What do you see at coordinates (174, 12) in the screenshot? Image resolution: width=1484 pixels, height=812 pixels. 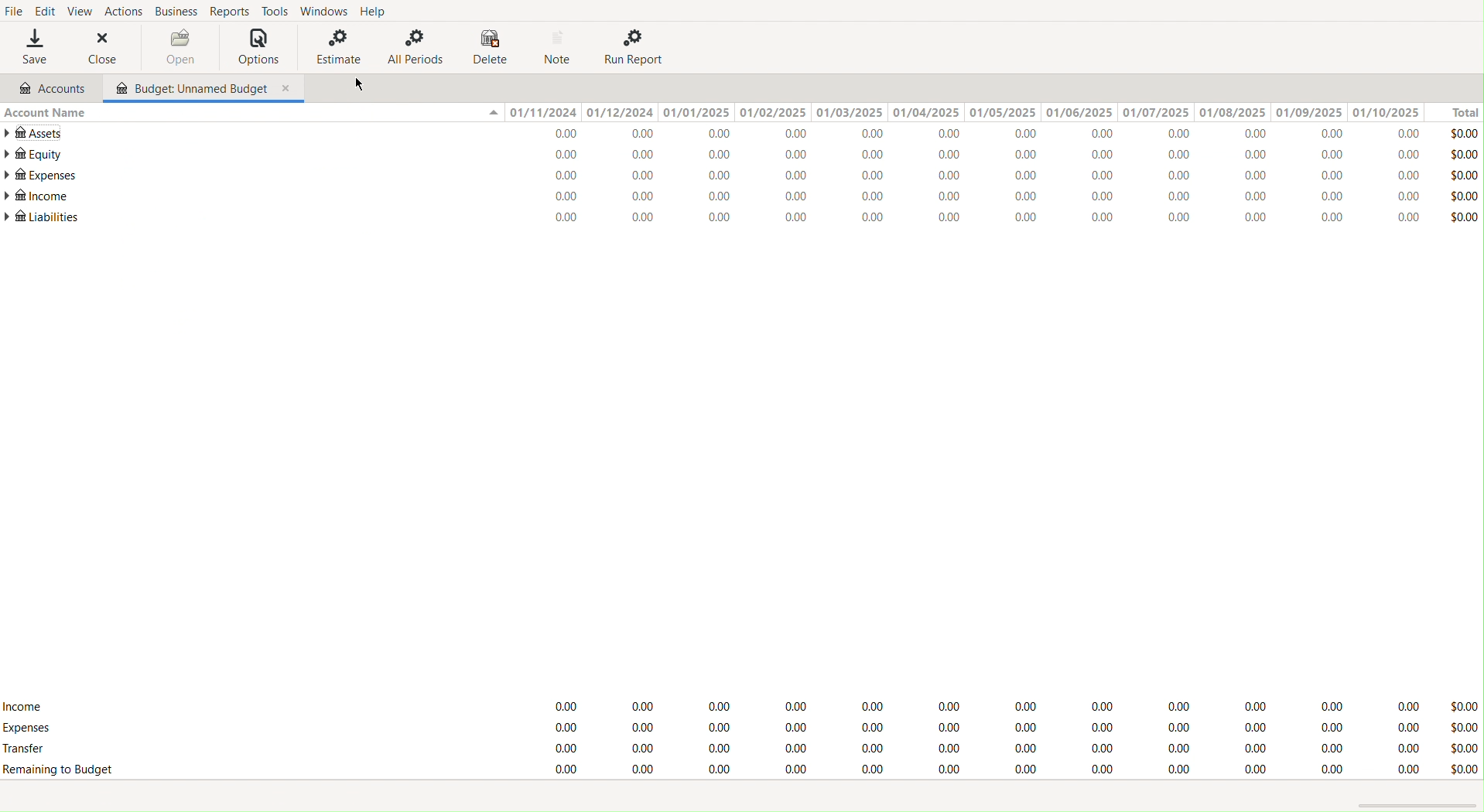 I see `Business` at bounding box center [174, 12].